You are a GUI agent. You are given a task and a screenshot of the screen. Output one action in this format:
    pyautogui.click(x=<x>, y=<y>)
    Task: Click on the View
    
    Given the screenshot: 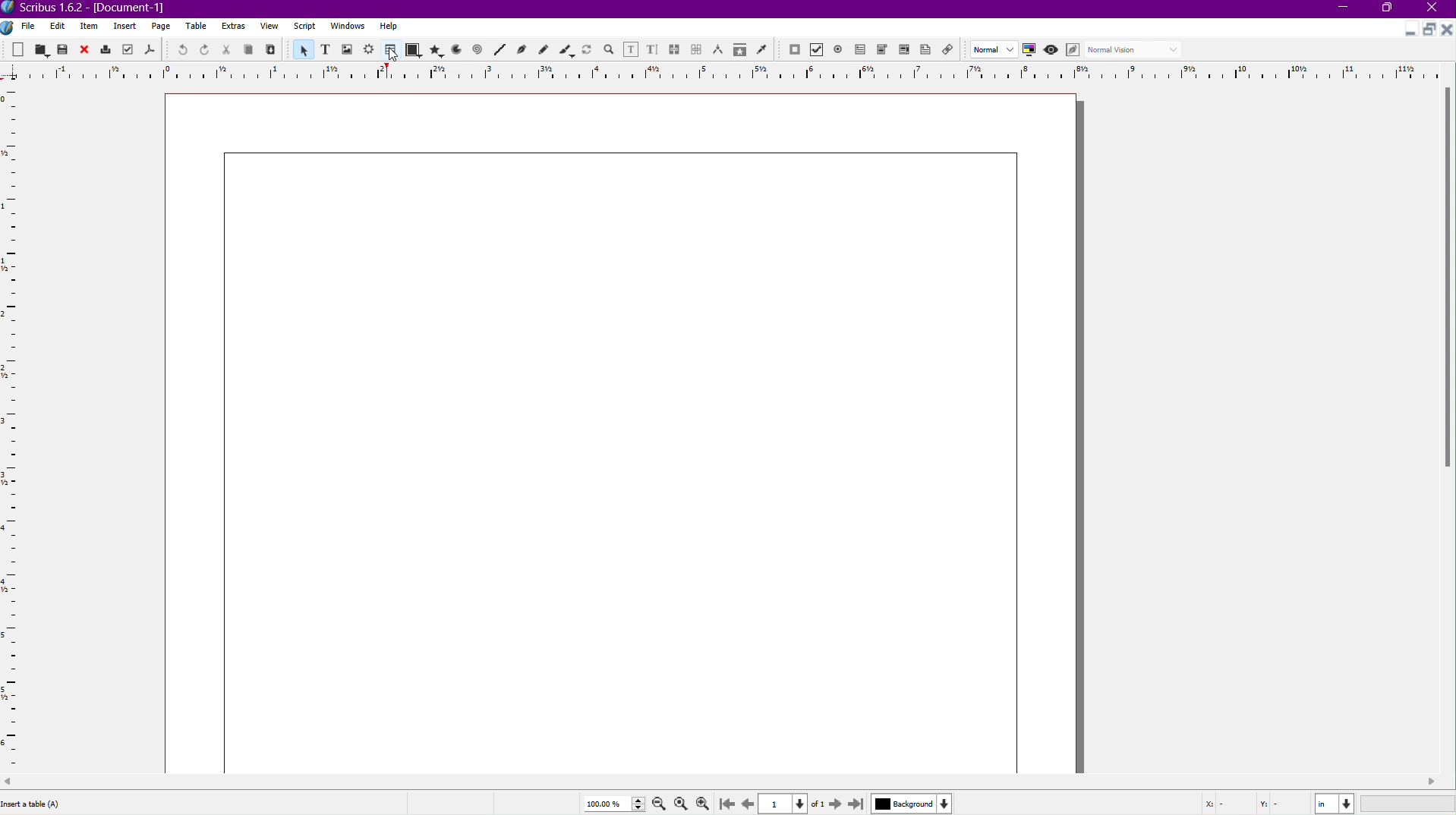 What is the action you would take?
    pyautogui.click(x=269, y=29)
    